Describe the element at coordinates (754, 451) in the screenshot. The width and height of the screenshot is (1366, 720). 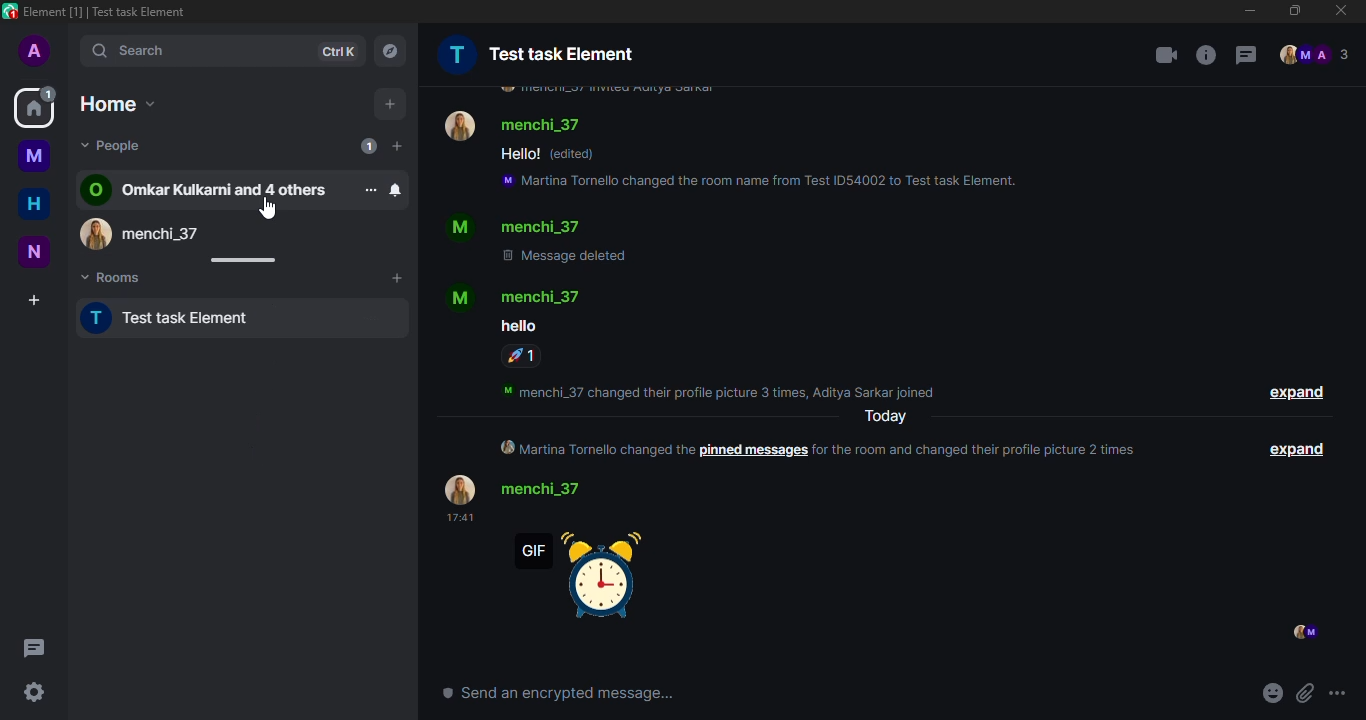
I see `pinned messages` at that location.